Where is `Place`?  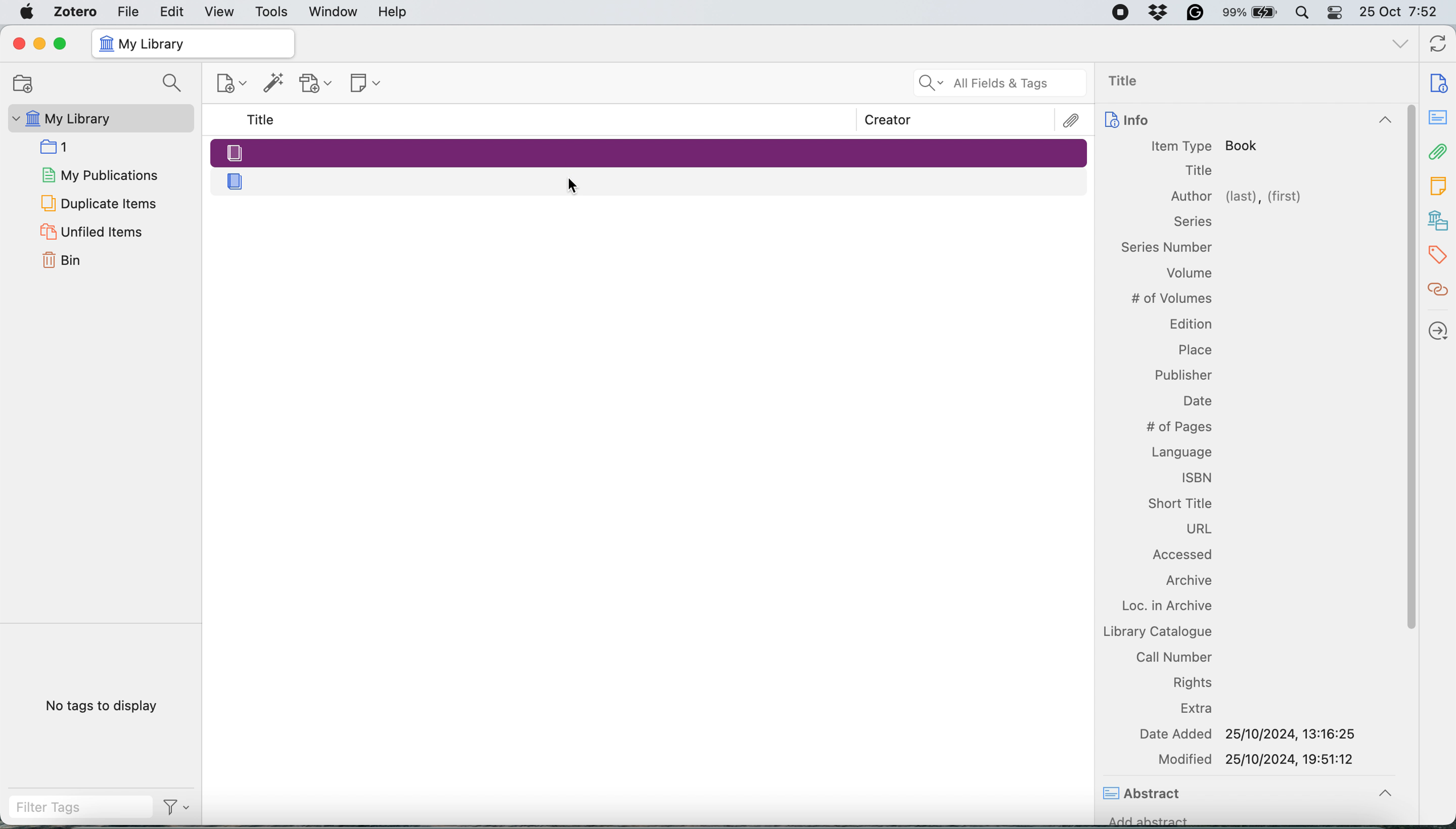 Place is located at coordinates (1195, 347).